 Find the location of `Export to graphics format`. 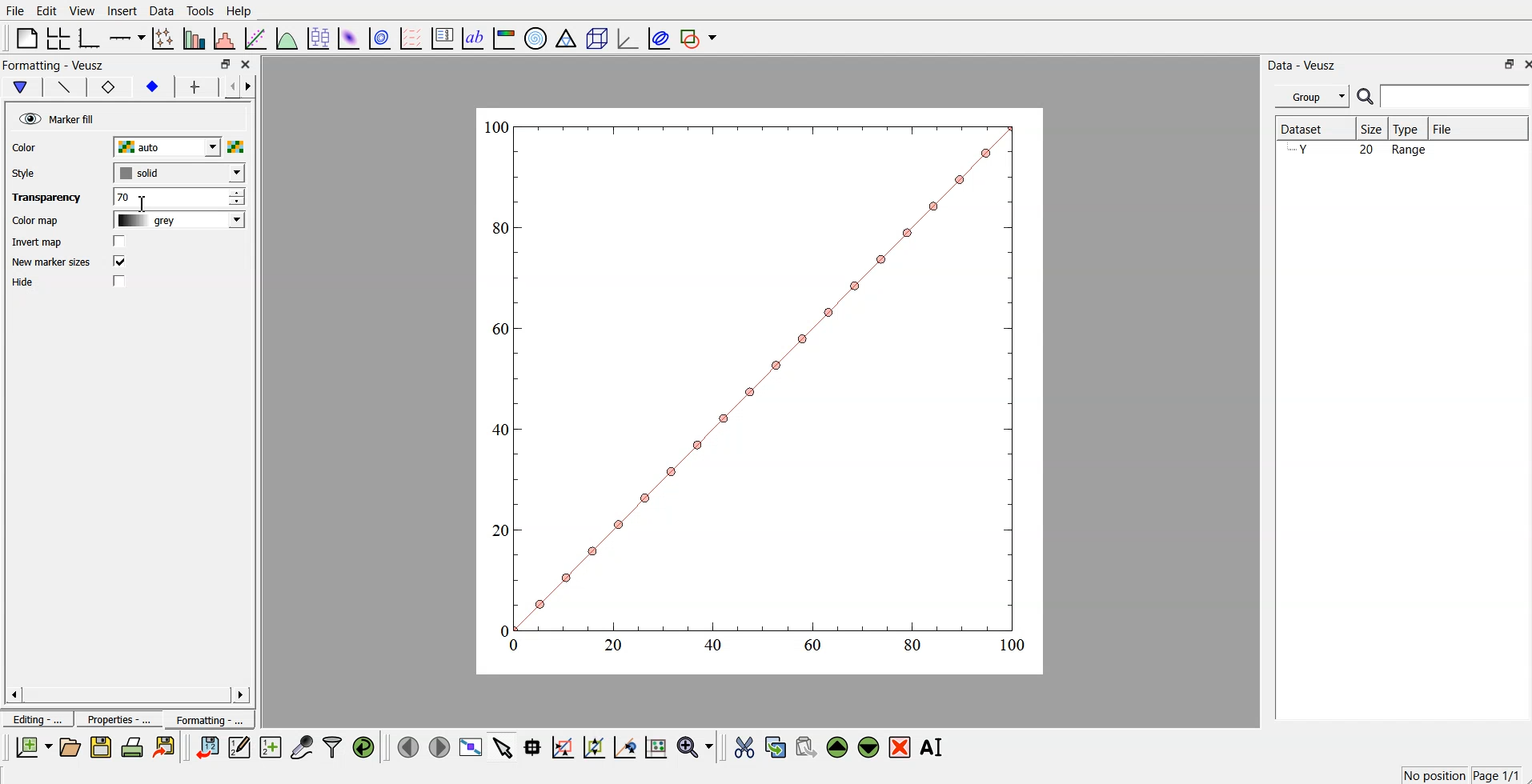

Export to graphics format is located at coordinates (167, 748).